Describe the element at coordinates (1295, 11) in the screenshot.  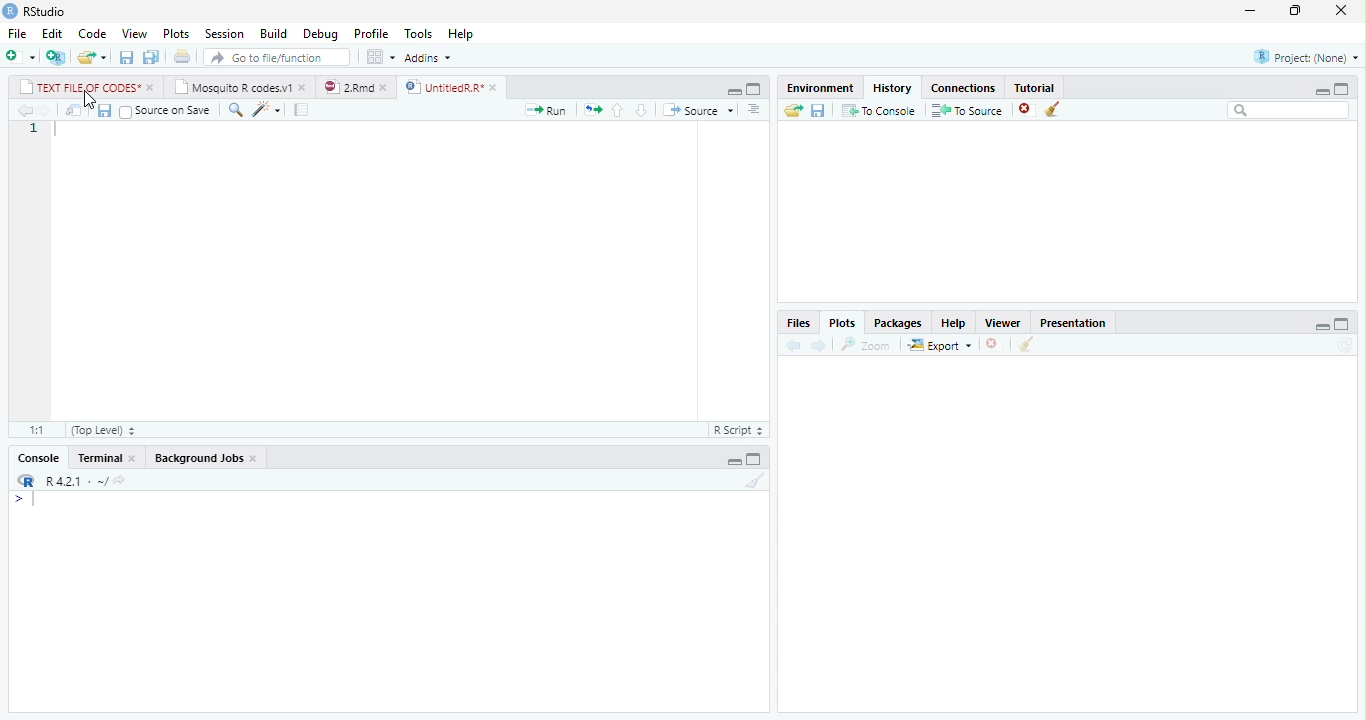
I see `restore` at that location.